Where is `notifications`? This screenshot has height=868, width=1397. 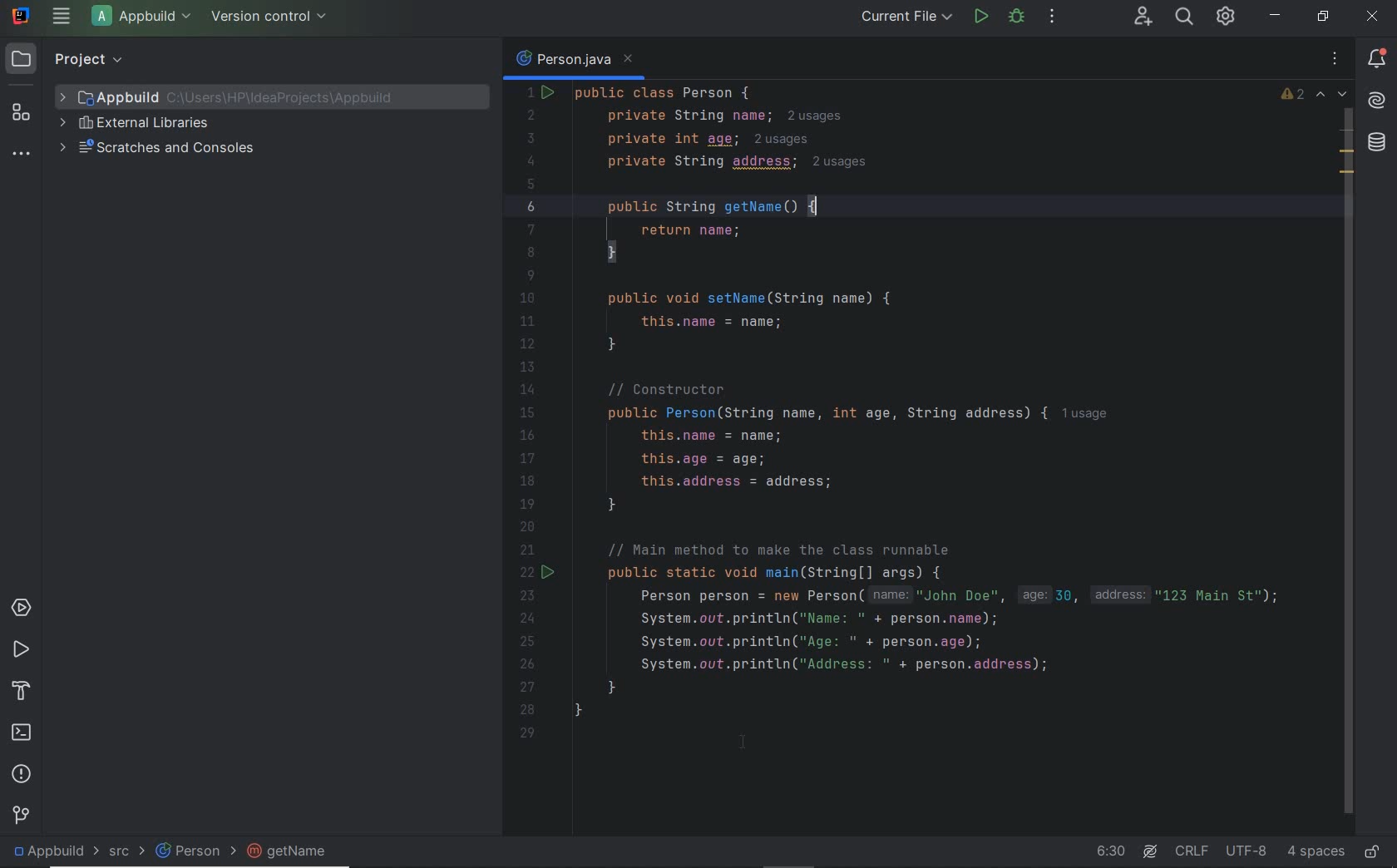
notifications is located at coordinates (1380, 59).